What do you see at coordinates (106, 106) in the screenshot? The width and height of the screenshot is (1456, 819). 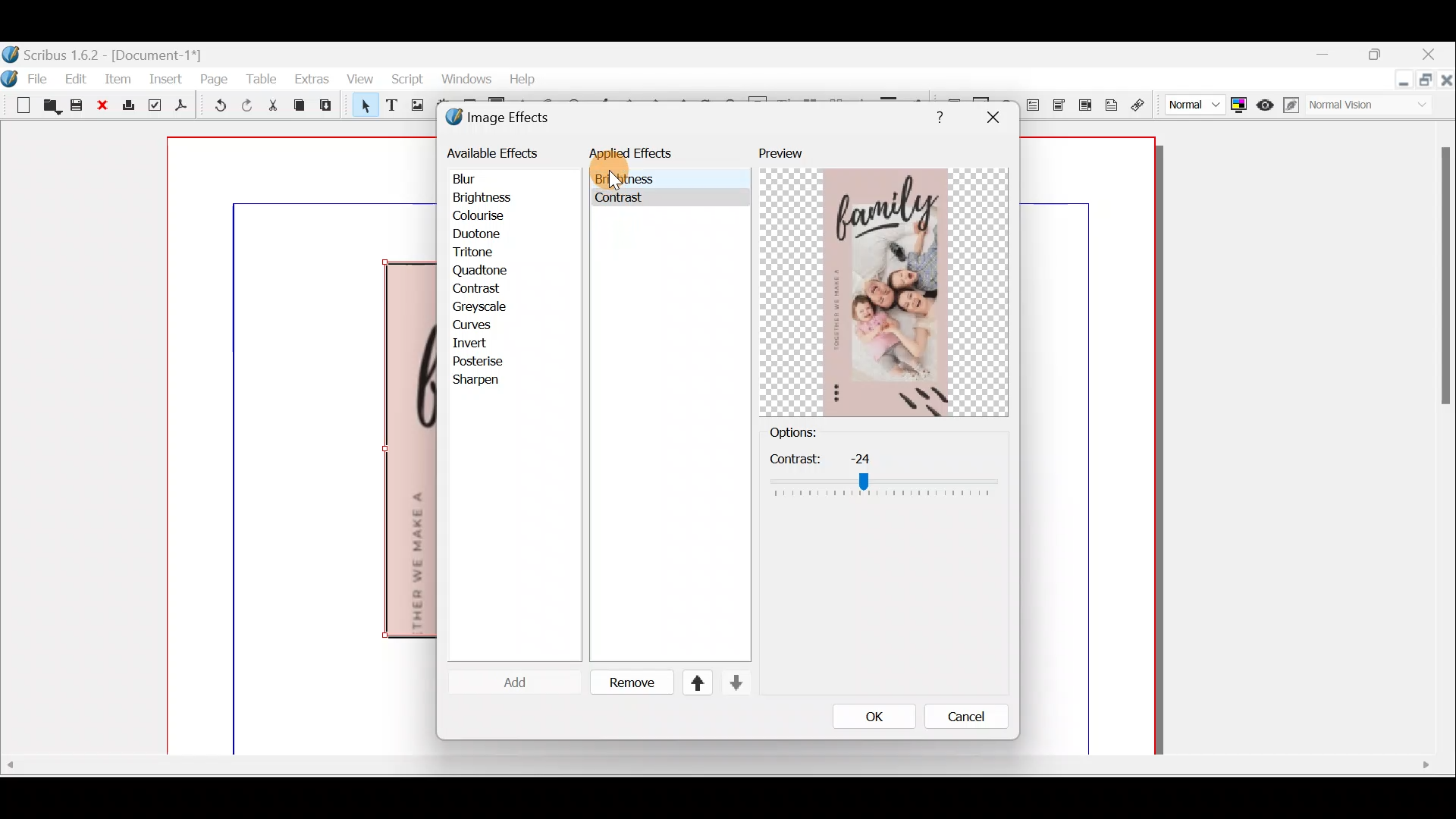 I see `Close` at bounding box center [106, 106].